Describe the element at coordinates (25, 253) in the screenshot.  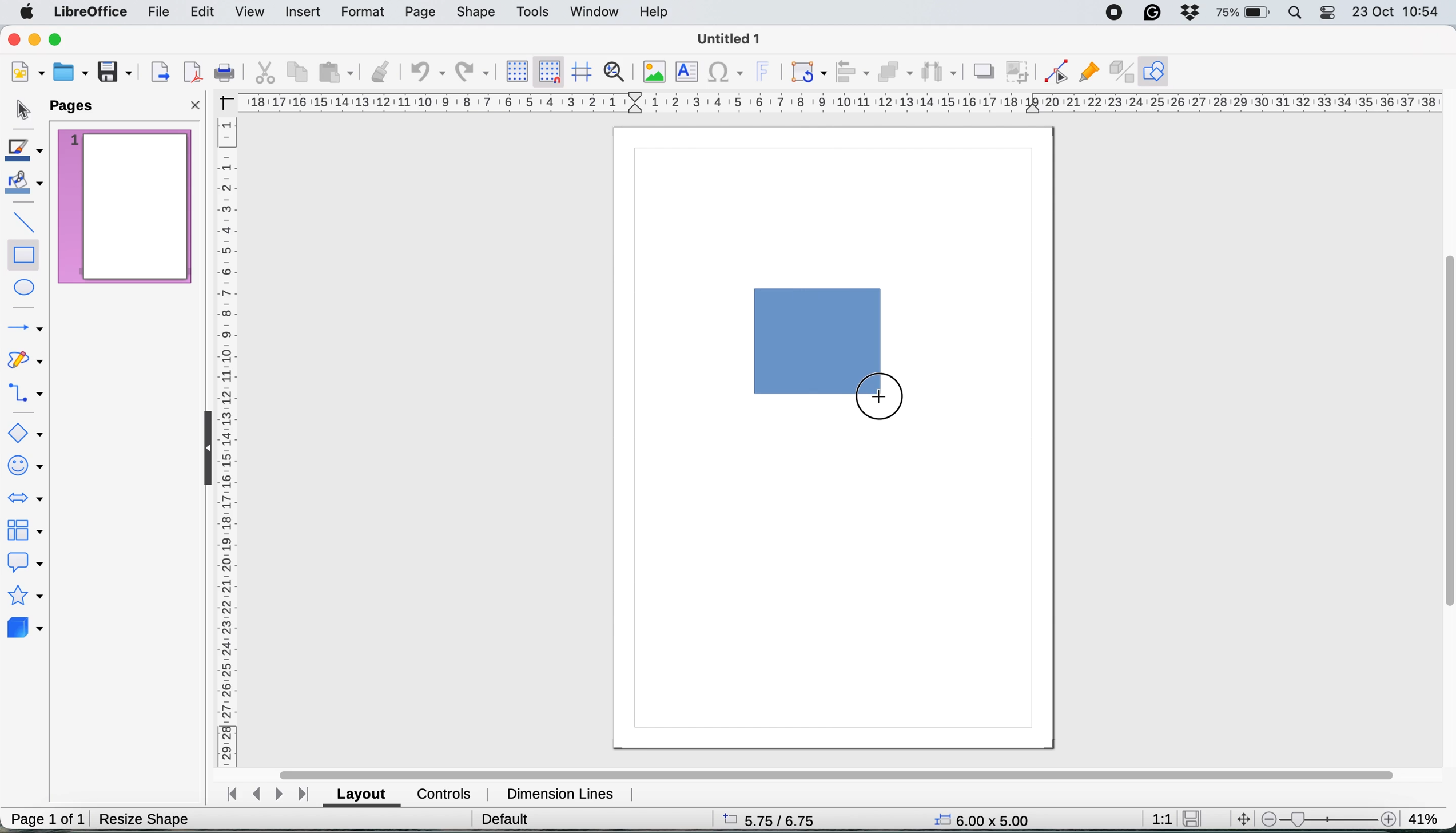
I see `rectangle` at that location.